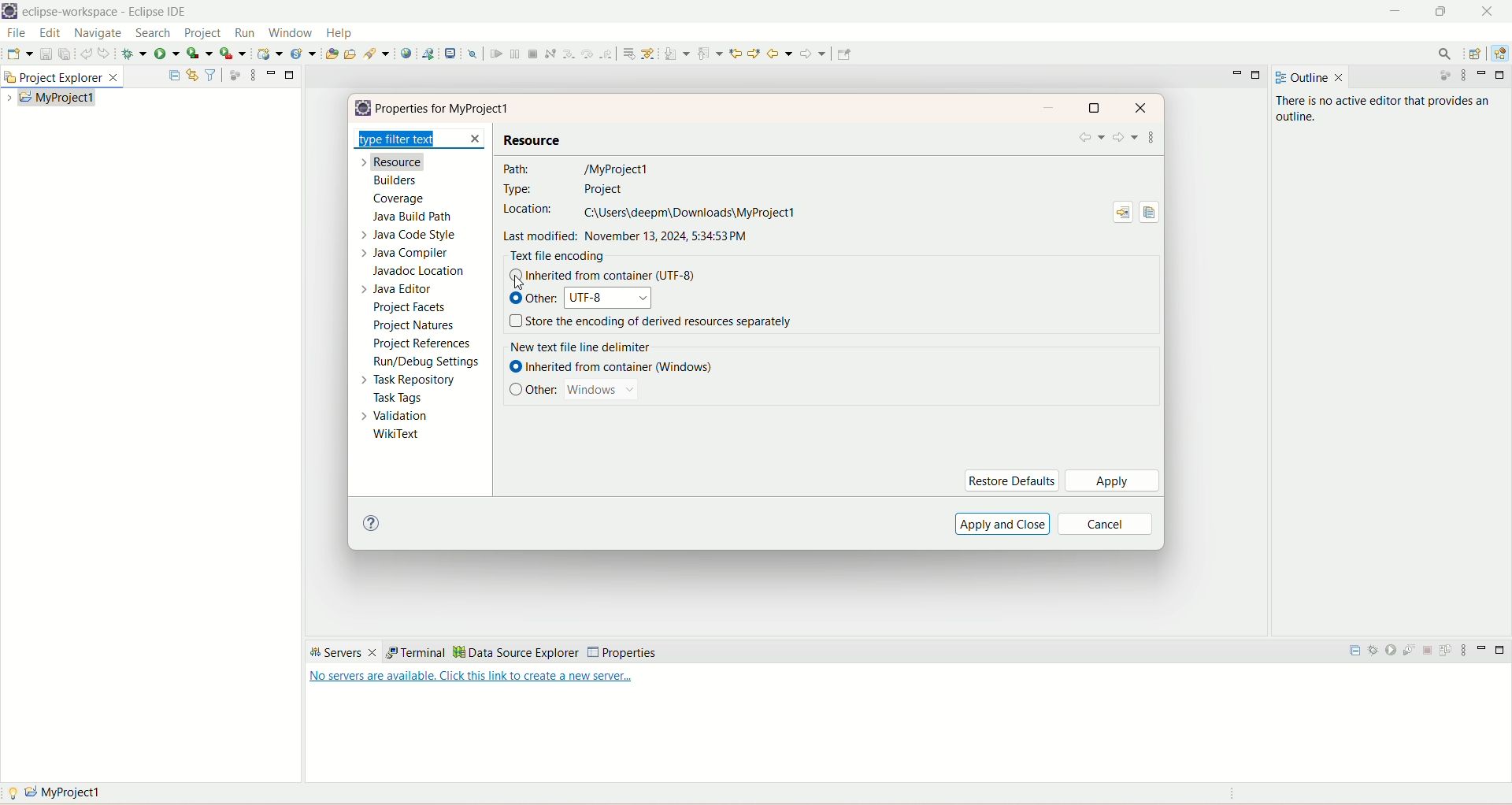 Image resolution: width=1512 pixels, height=805 pixels. What do you see at coordinates (1501, 652) in the screenshot?
I see `maximize` at bounding box center [1501, 652].